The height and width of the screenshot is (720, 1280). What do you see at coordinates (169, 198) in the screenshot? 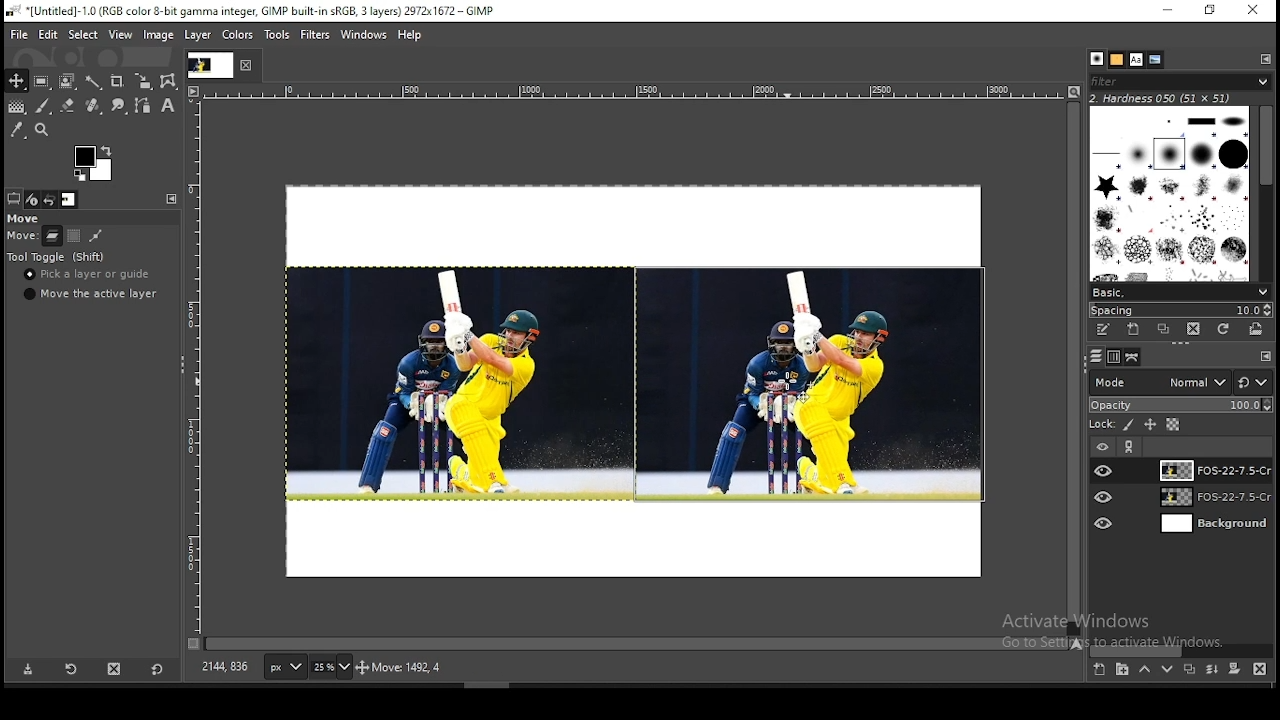
I see `tool` at bounding box center [169, 198].